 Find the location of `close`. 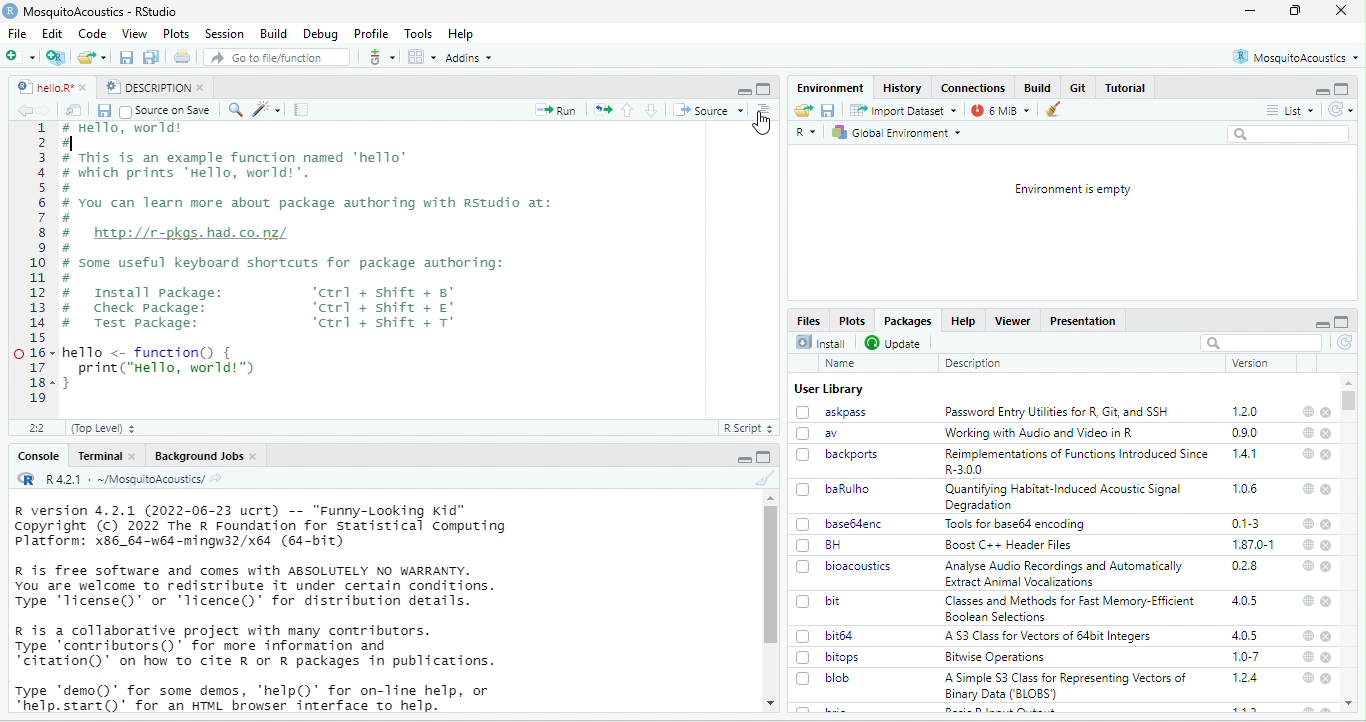

close is located at coordinates (1328, 545).